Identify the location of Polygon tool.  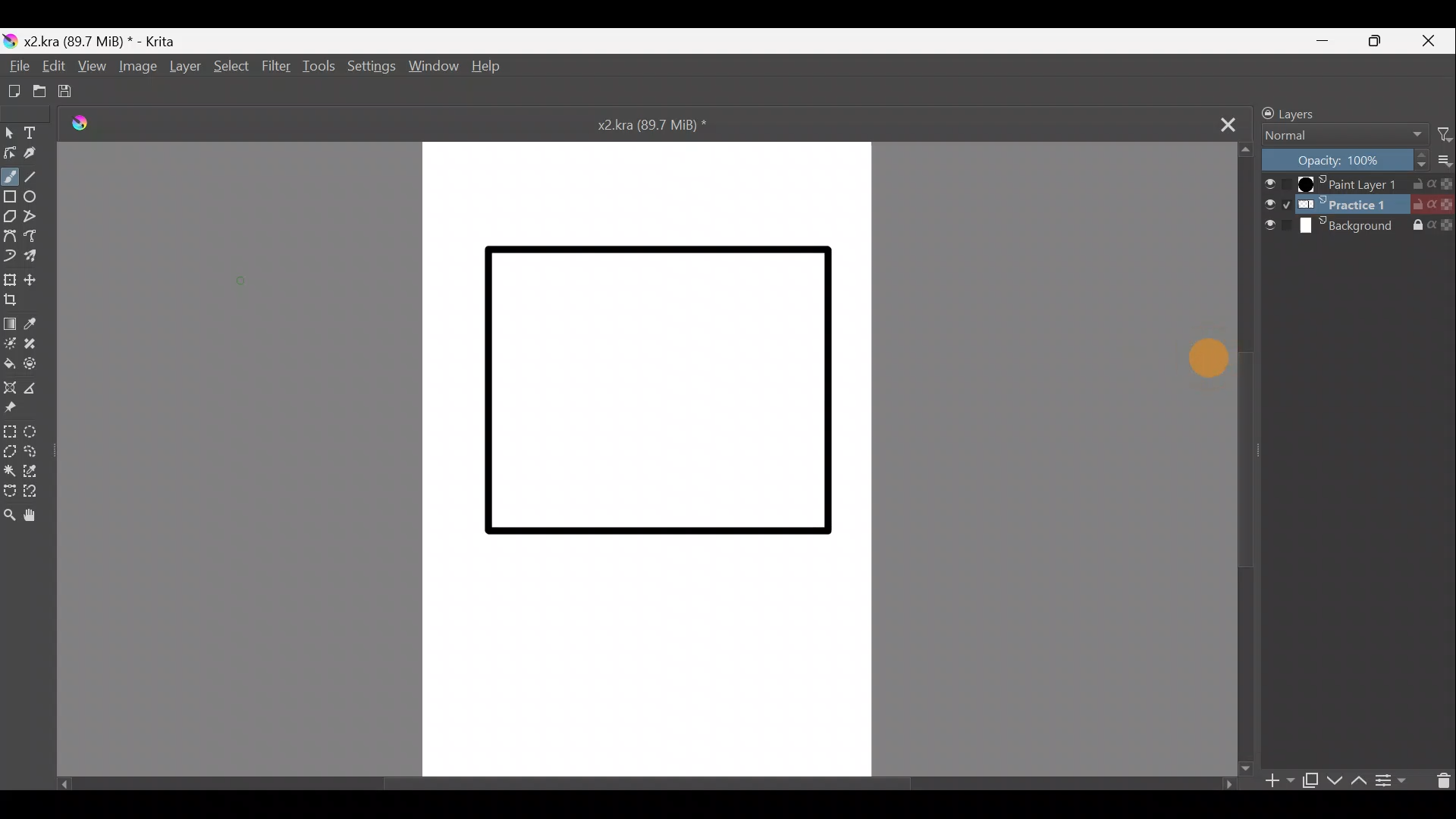
(9, 218).